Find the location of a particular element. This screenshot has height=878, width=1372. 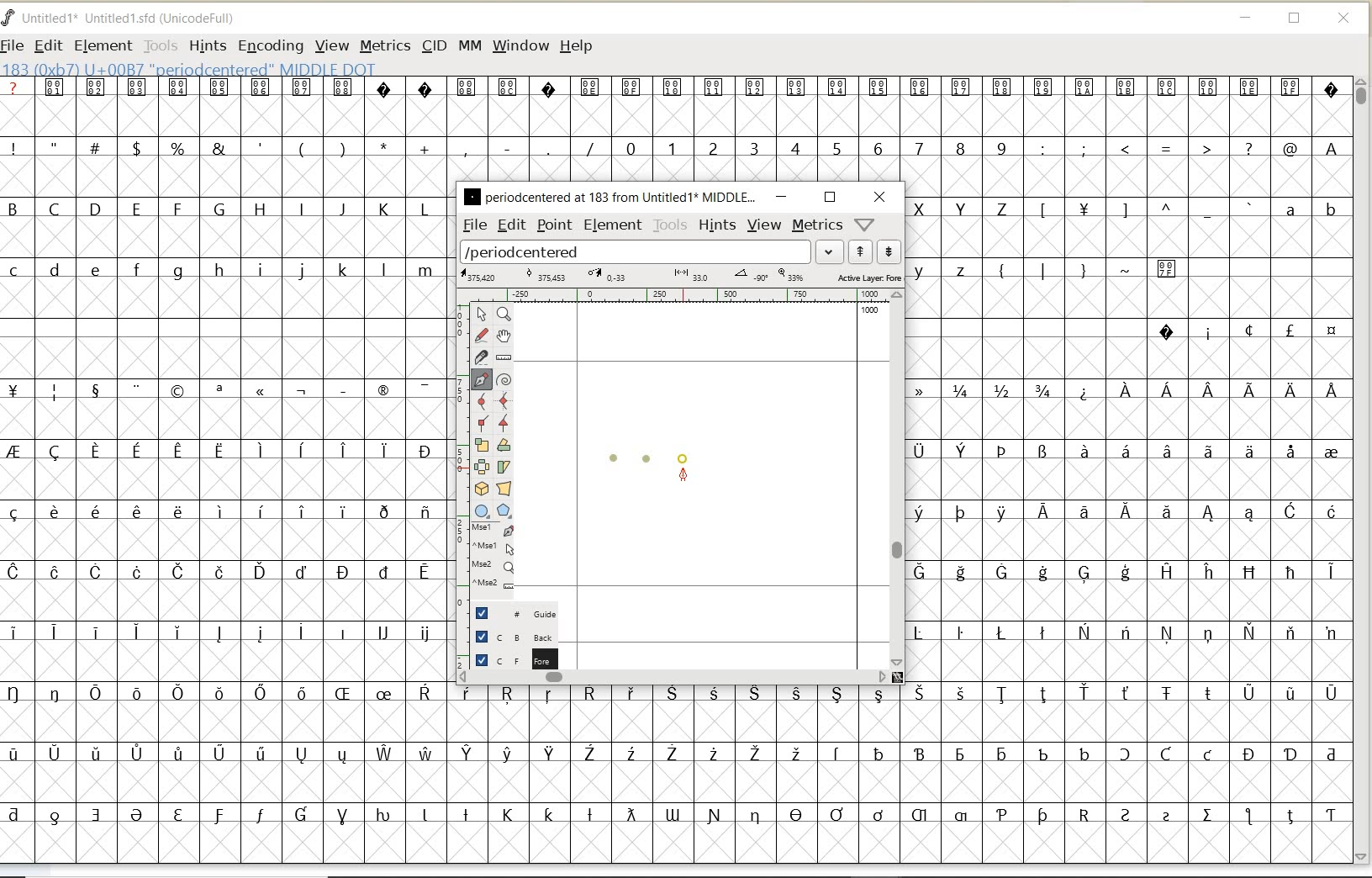

close is located at coordinates (879, 197).